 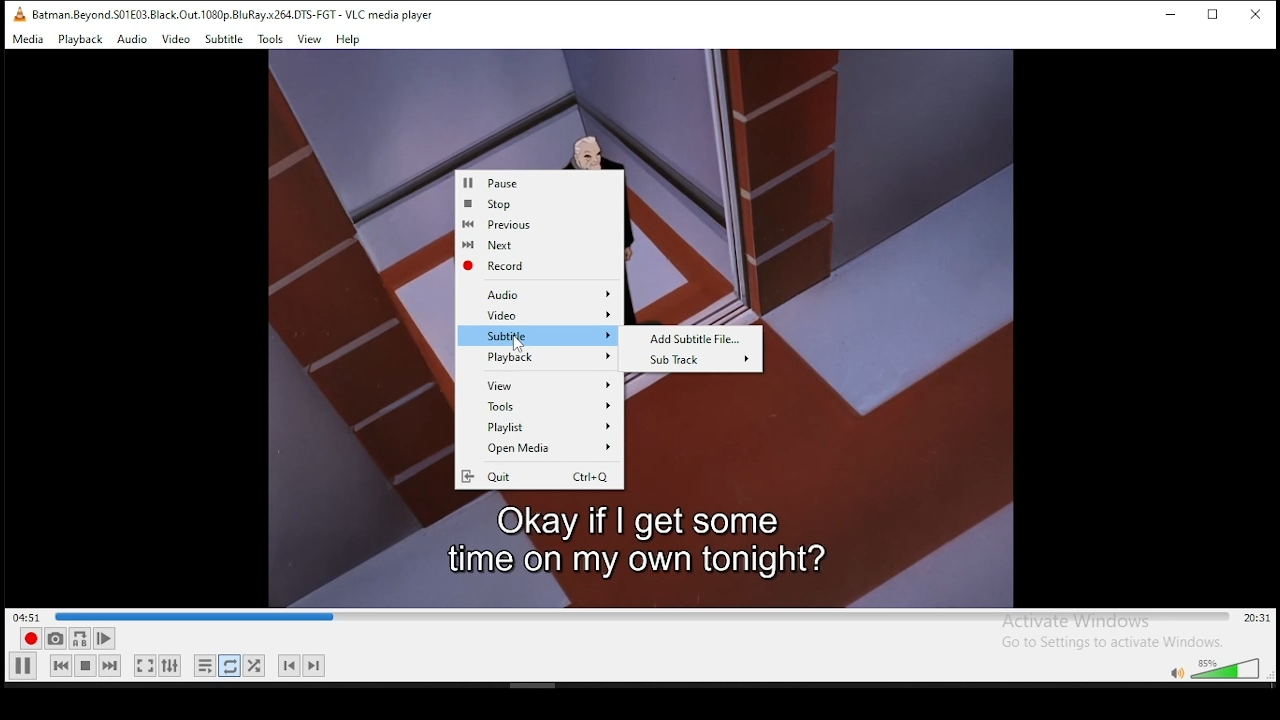 I want to click on Play , so click(x=107, y=639).